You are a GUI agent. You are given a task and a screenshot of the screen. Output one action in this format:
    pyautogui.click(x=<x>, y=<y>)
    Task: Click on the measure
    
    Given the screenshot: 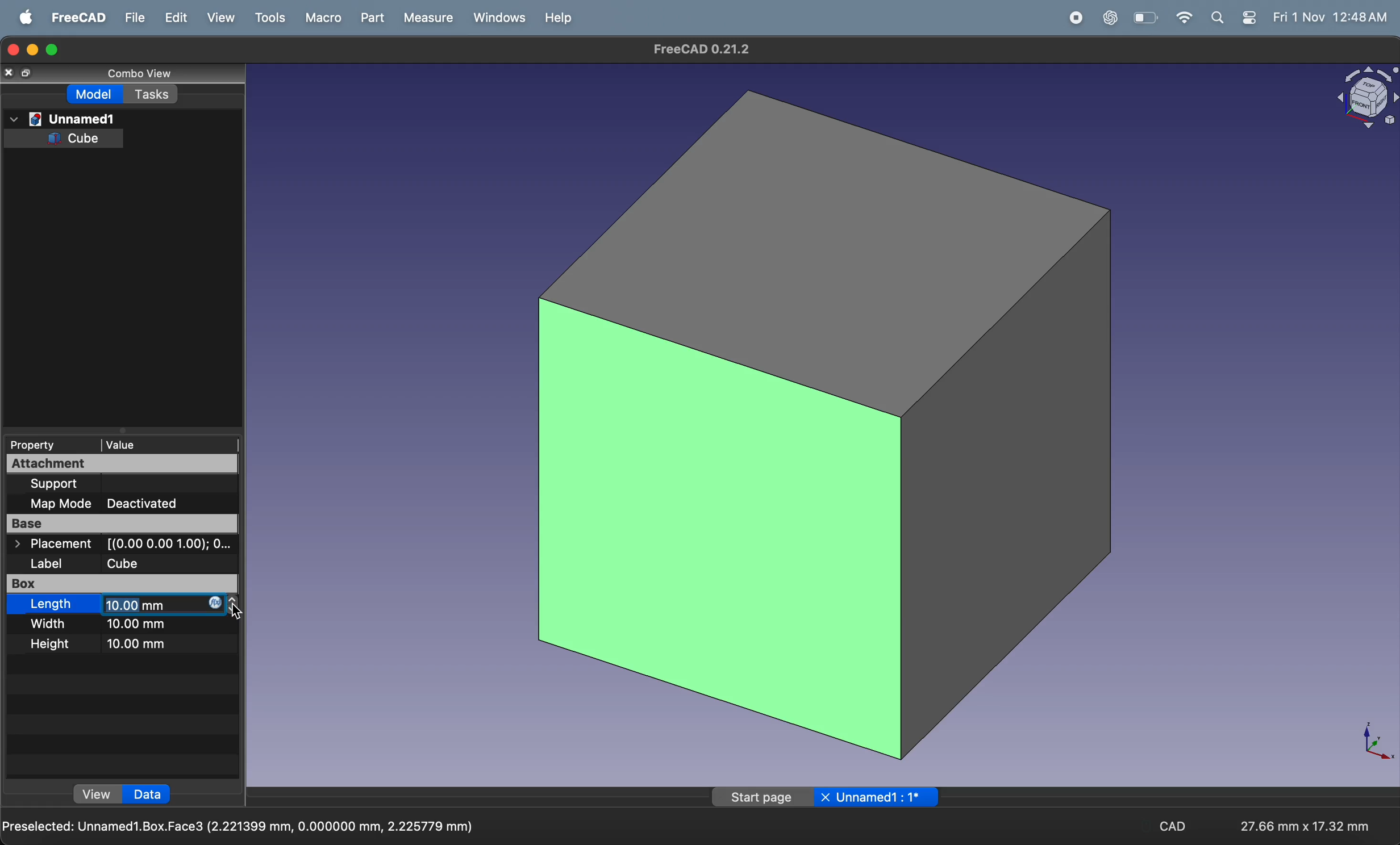 What is the action you would take?
    pyautogui.click(x=427, y=18)
    